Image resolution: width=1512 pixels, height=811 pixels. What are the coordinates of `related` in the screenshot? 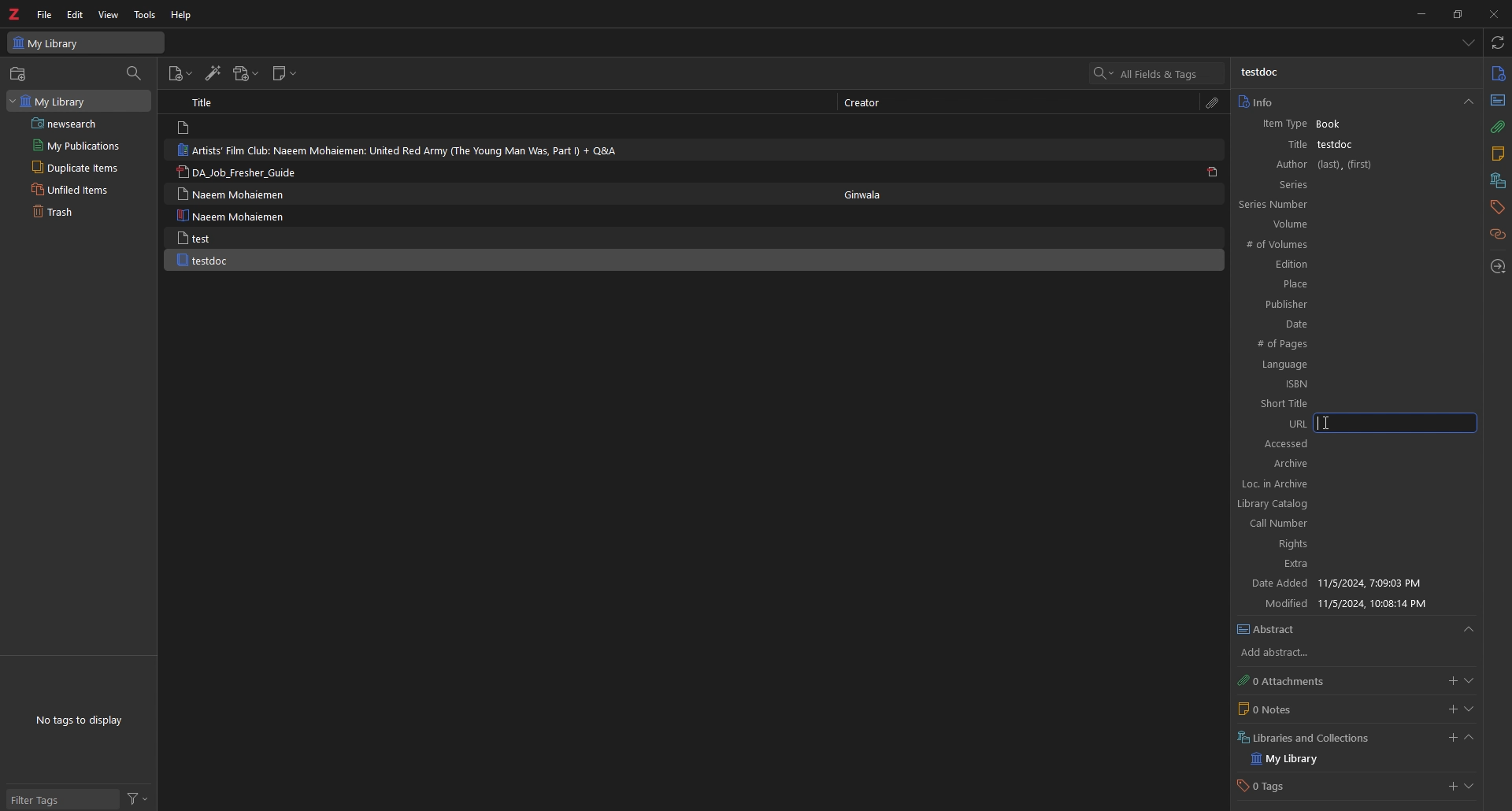 It's located at (1497, 235).